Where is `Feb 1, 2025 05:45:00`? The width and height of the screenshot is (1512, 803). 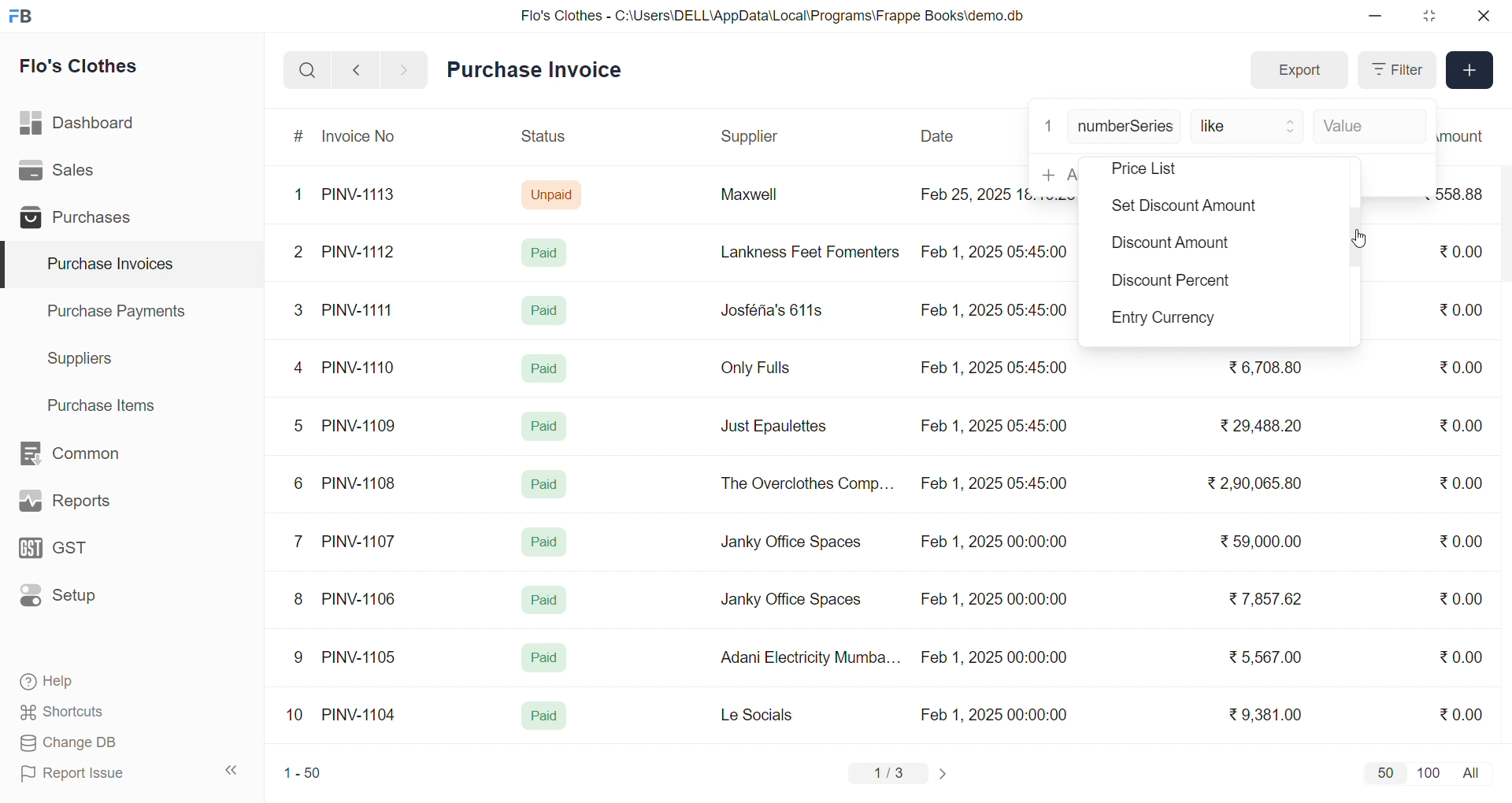 Feb 1, 2025 05:45:00 is located at coordinates (998, 250).